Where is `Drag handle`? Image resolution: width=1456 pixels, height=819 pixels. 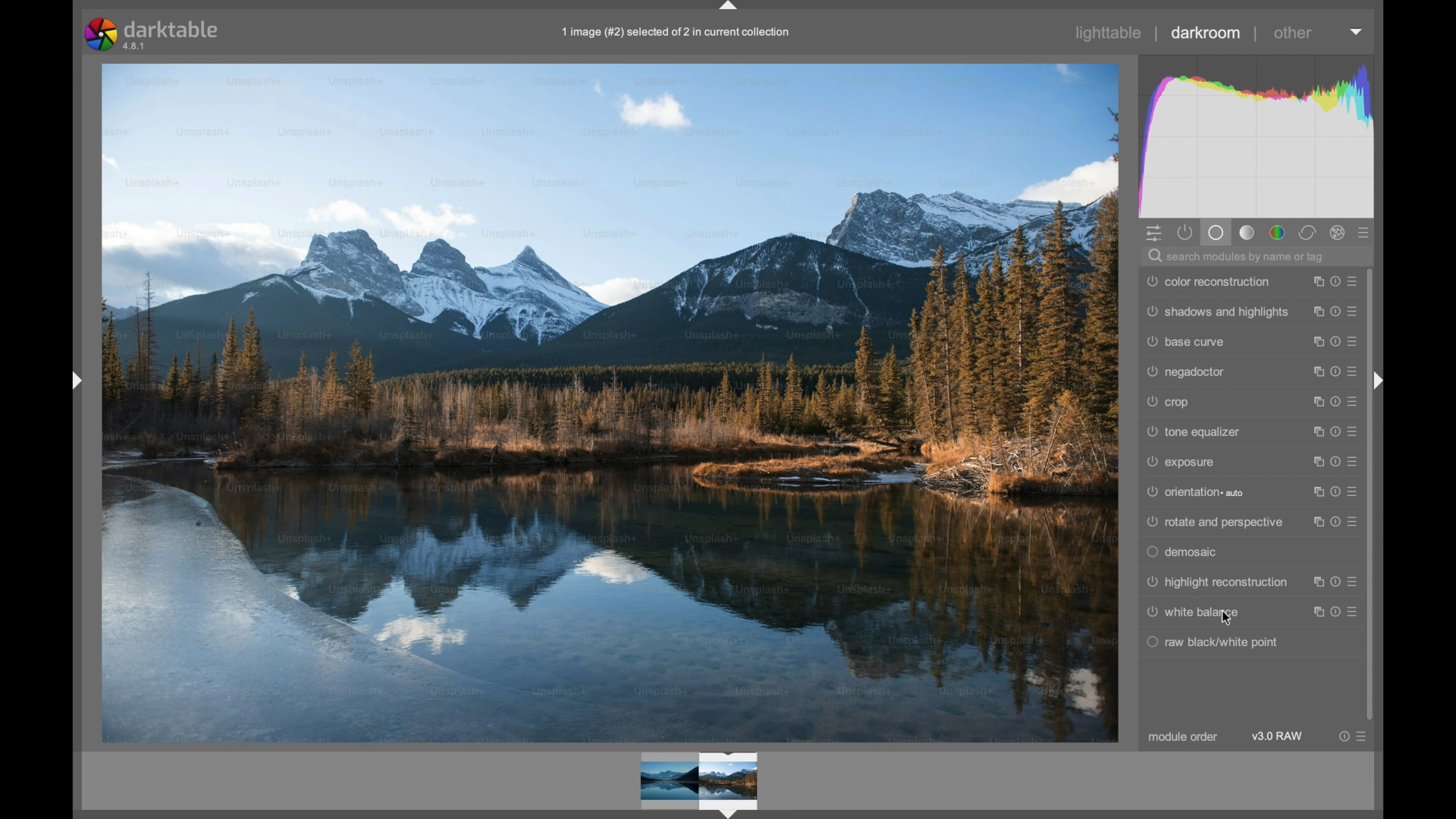
Drag handle is located at coordinates (1382, 381).